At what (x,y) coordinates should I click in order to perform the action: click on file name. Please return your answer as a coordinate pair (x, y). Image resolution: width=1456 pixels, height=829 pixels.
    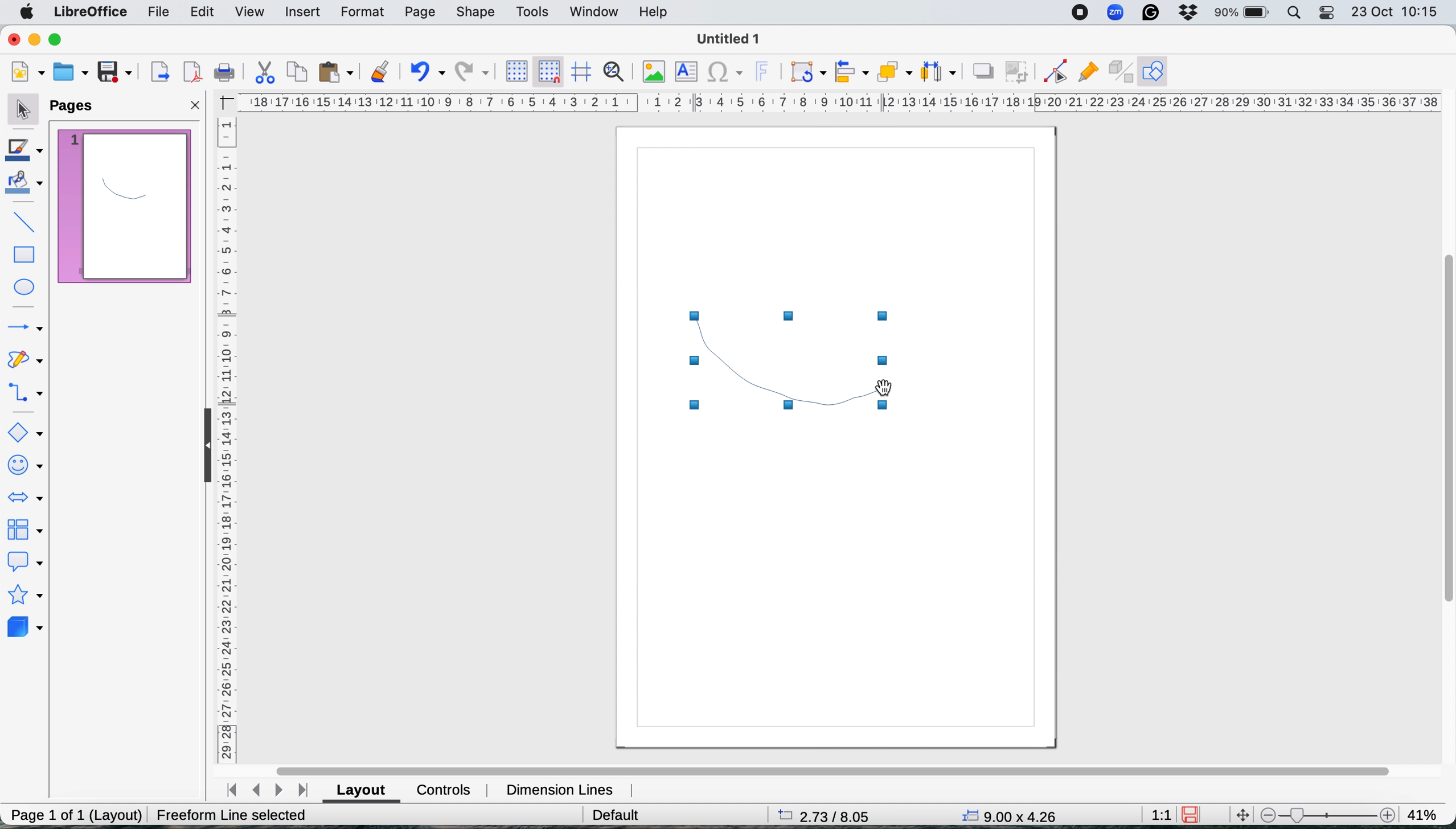
    Looking at the image, I should click on (736, 38).